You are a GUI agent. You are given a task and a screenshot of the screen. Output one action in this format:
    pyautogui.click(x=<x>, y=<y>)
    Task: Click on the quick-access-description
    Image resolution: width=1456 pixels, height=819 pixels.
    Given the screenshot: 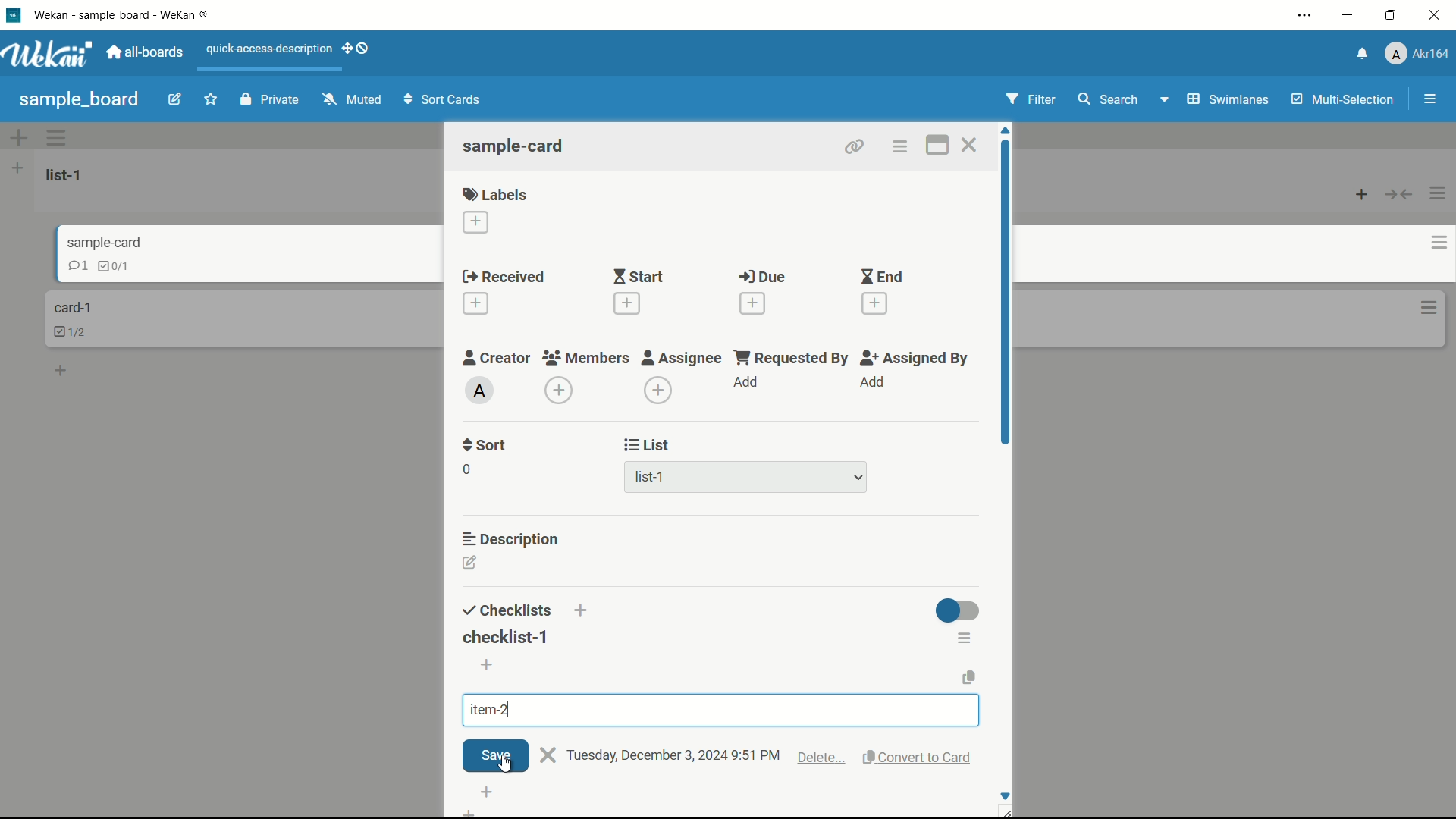 What is the action you would take?
    pyautogui.click(x=269, y=49)
    